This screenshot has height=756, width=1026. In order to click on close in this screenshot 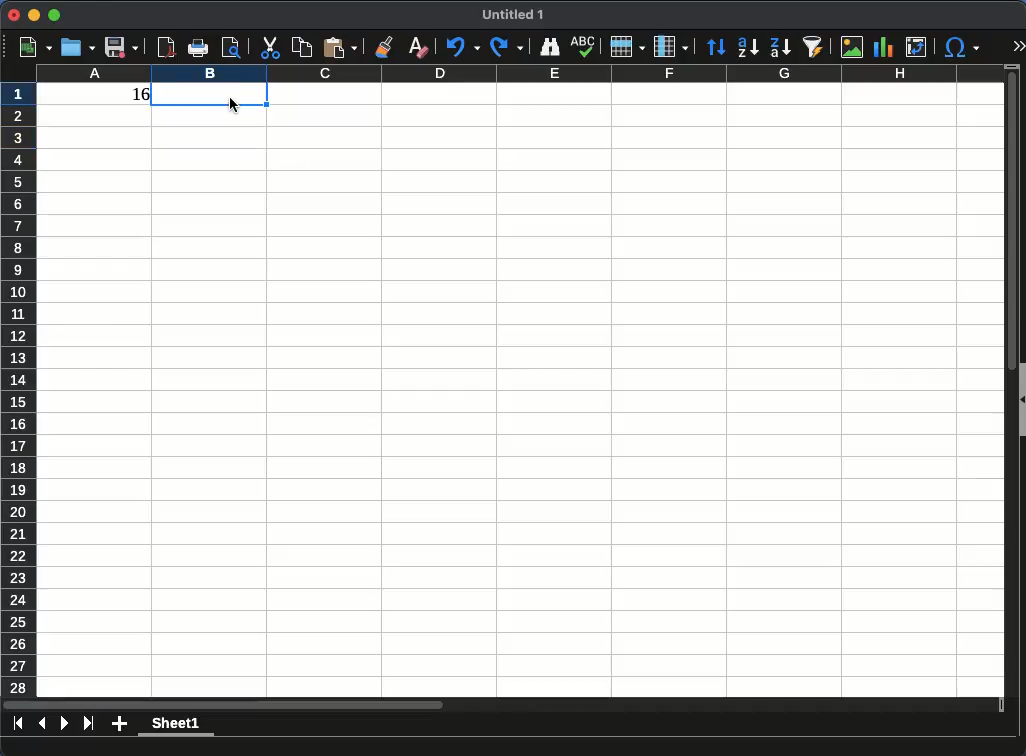, I will do `click(14, 15)`.